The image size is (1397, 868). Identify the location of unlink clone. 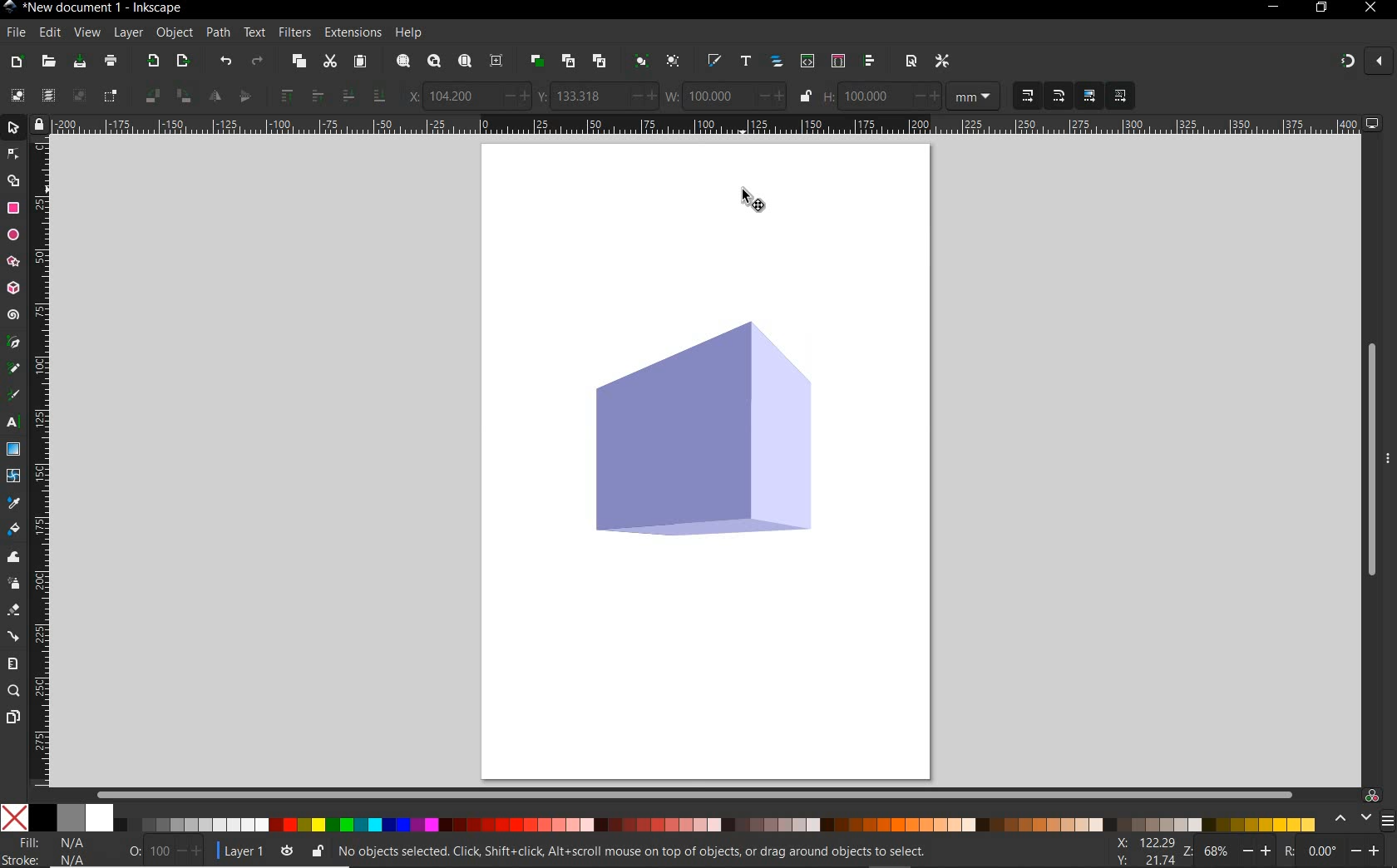
(598, 61).